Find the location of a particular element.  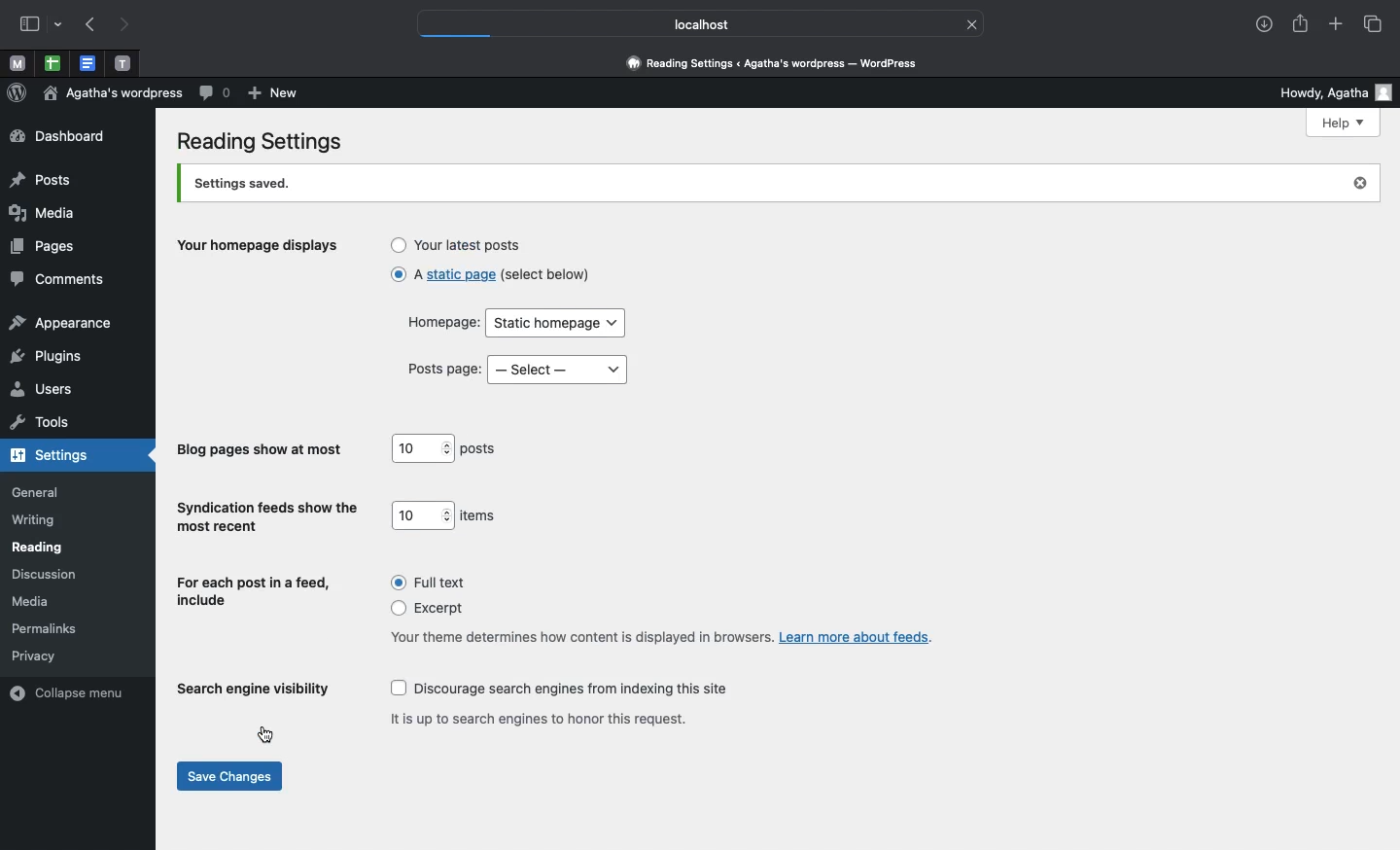

Comment is located at coordinates (216, 93).